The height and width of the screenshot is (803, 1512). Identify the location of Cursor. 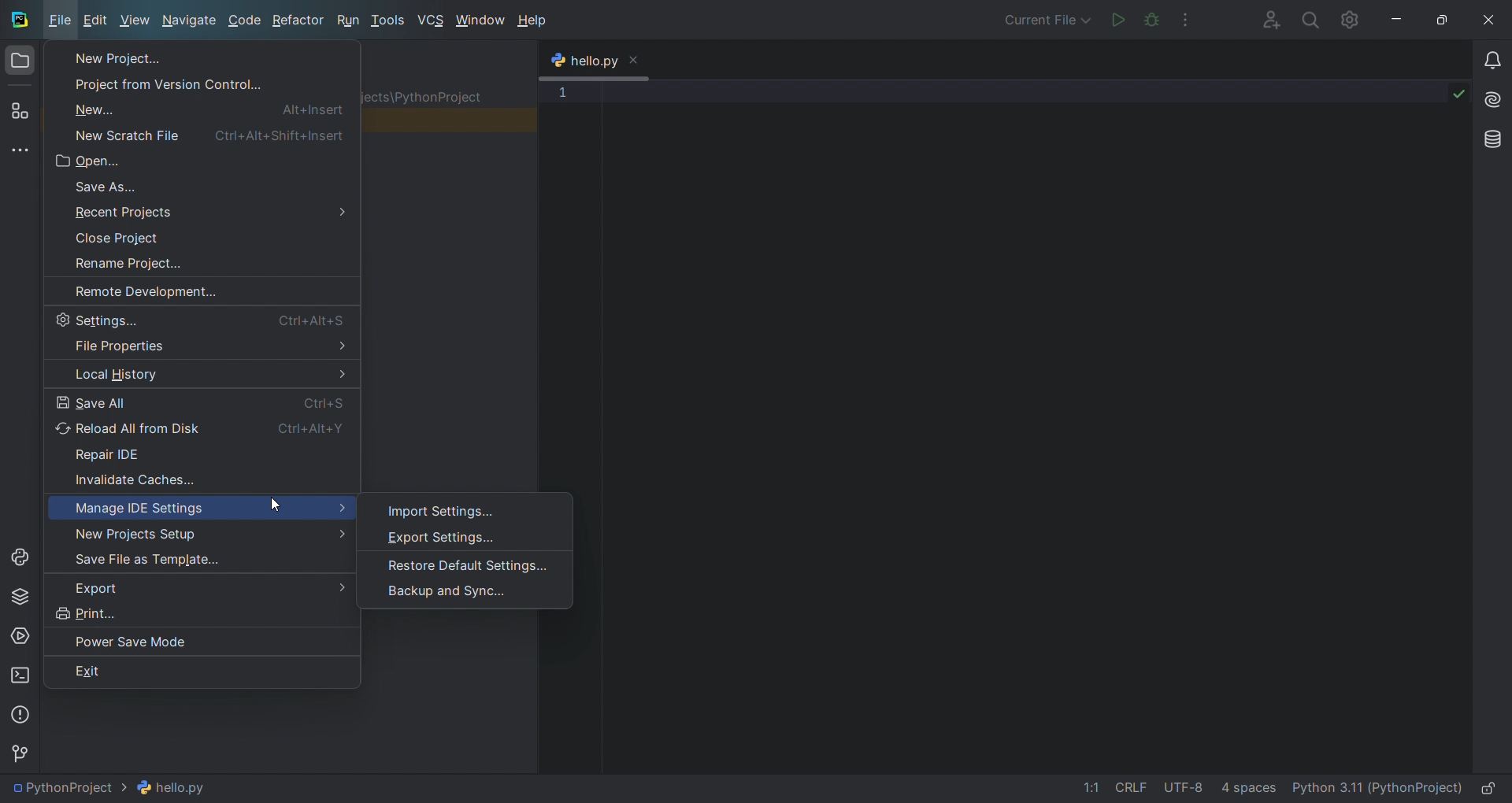
(275, 507).